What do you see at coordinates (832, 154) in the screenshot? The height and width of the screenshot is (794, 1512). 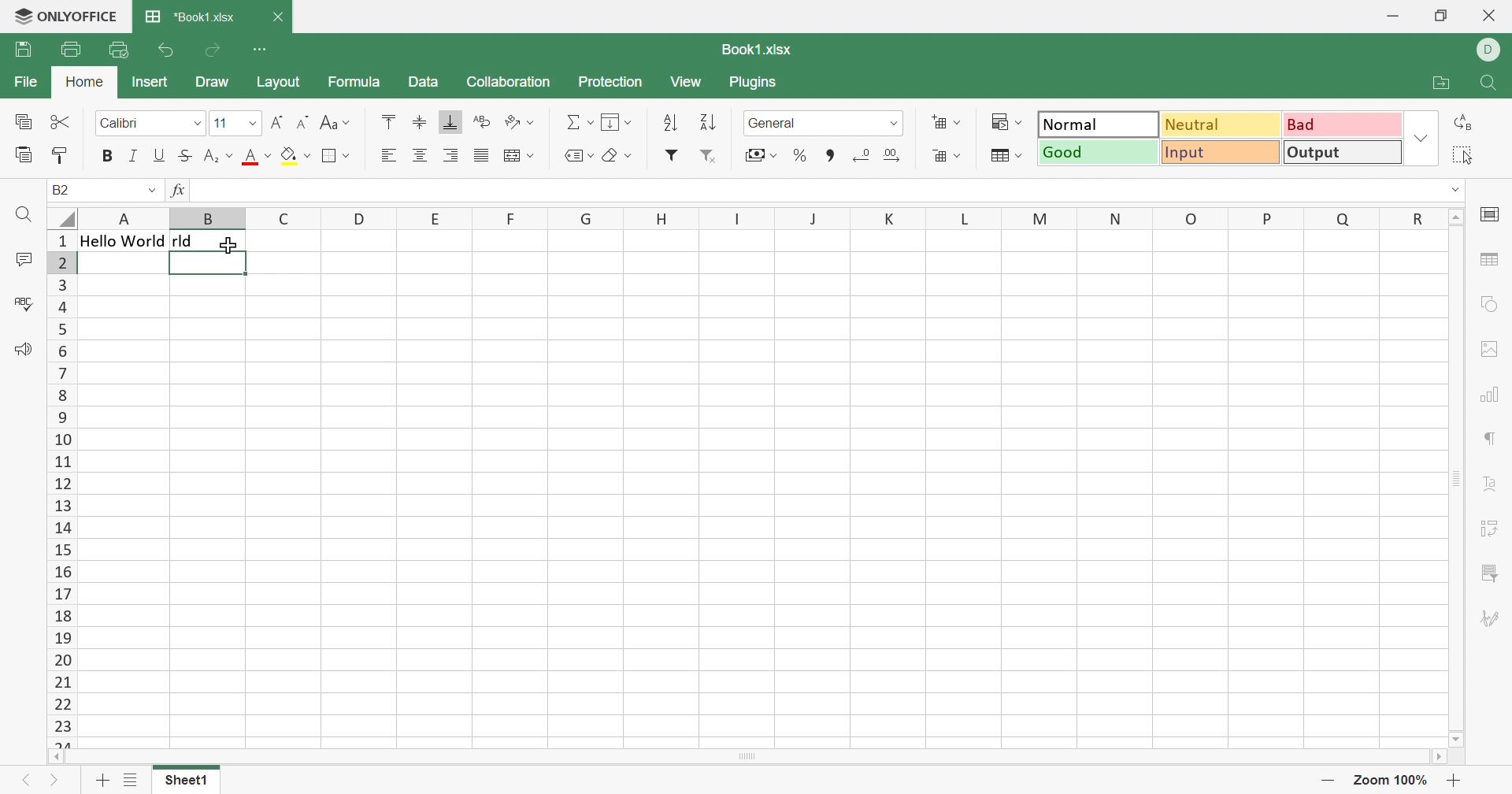 I see `Comma style` at bounding box center [832, 154].